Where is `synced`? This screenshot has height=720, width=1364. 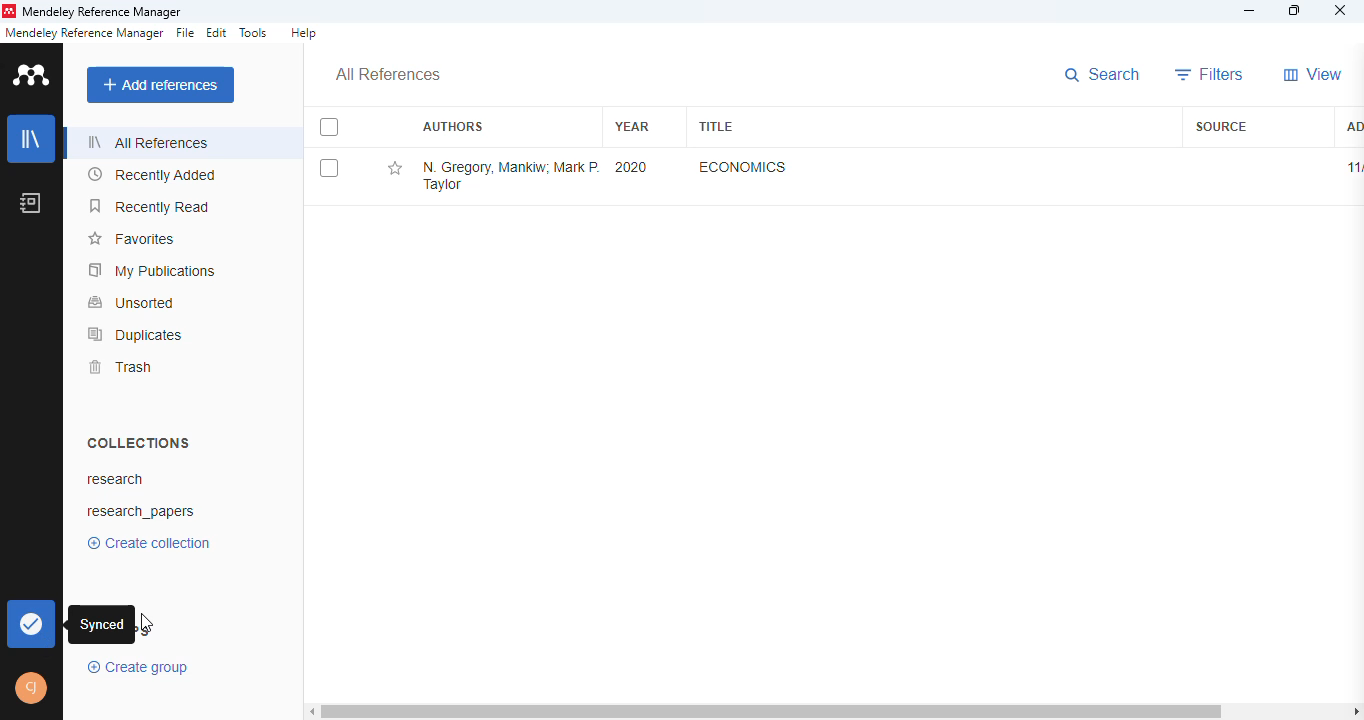 synced is located at coordinates (99, 624).